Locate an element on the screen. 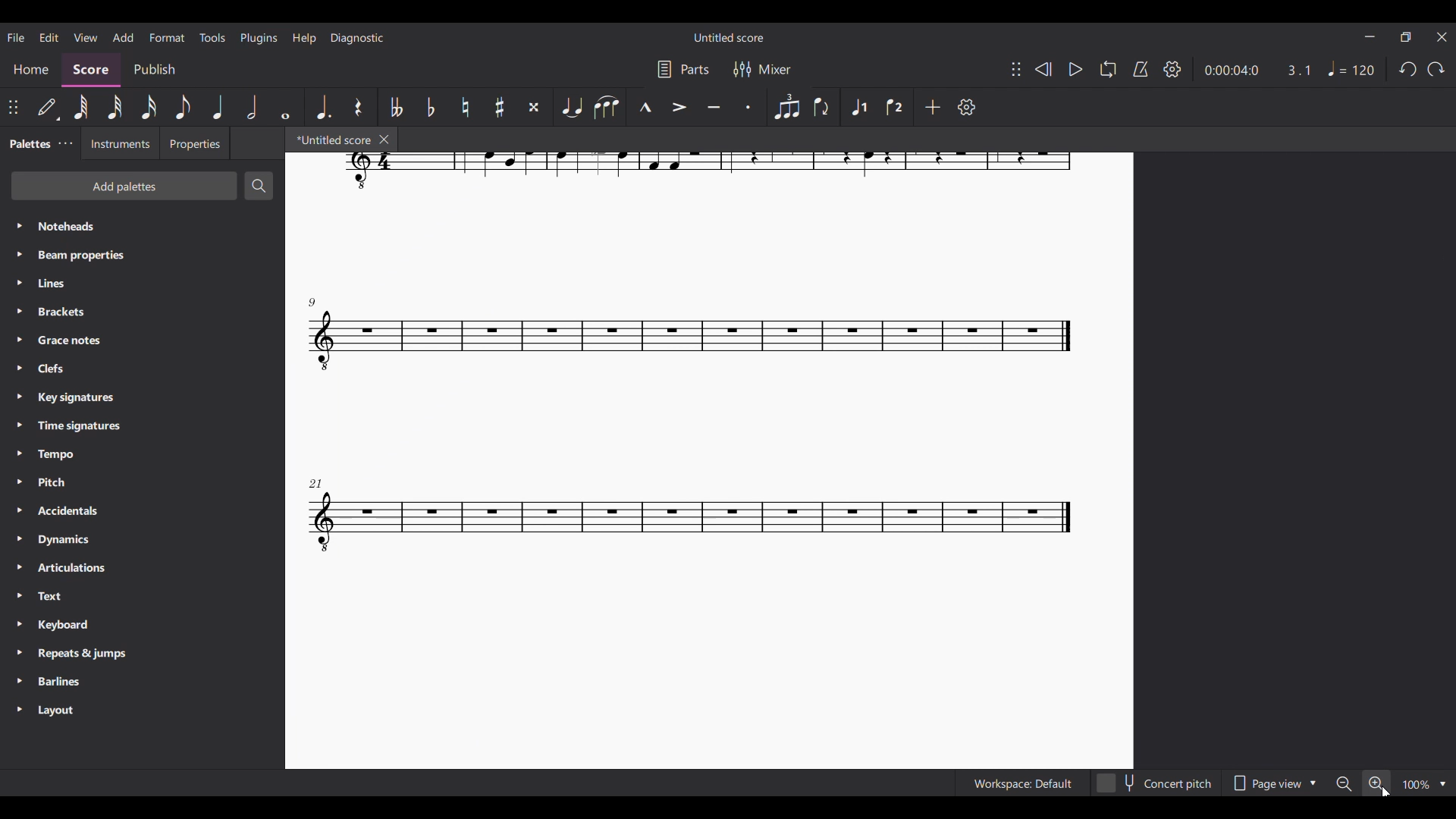 The width and height of the screenshot is (1456, 819). Accidentals is located at coordinates (143, 510).